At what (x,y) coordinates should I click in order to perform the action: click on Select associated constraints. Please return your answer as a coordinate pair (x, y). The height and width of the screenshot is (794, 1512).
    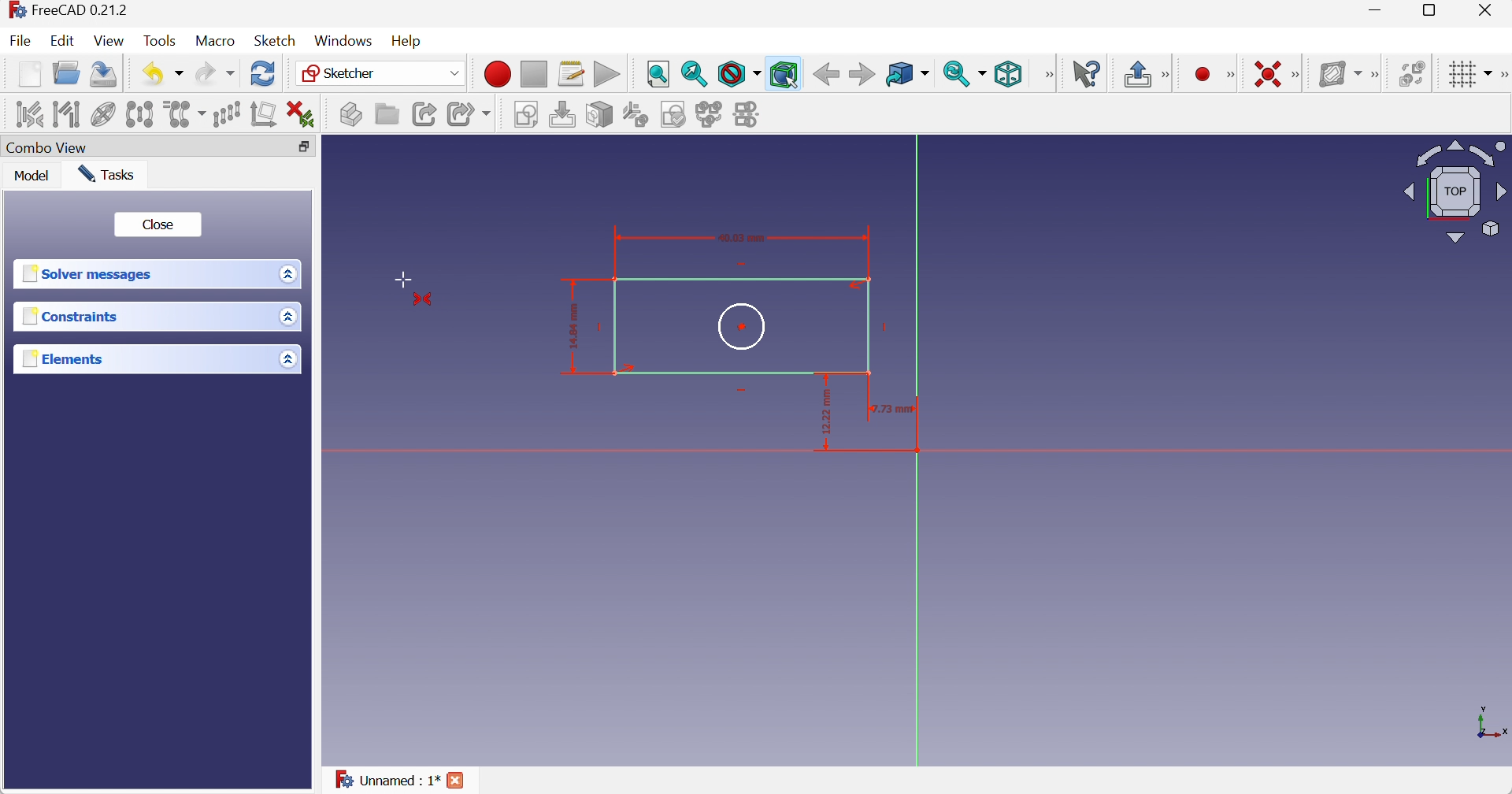
    Looking at the image, I should click on (28, 113).